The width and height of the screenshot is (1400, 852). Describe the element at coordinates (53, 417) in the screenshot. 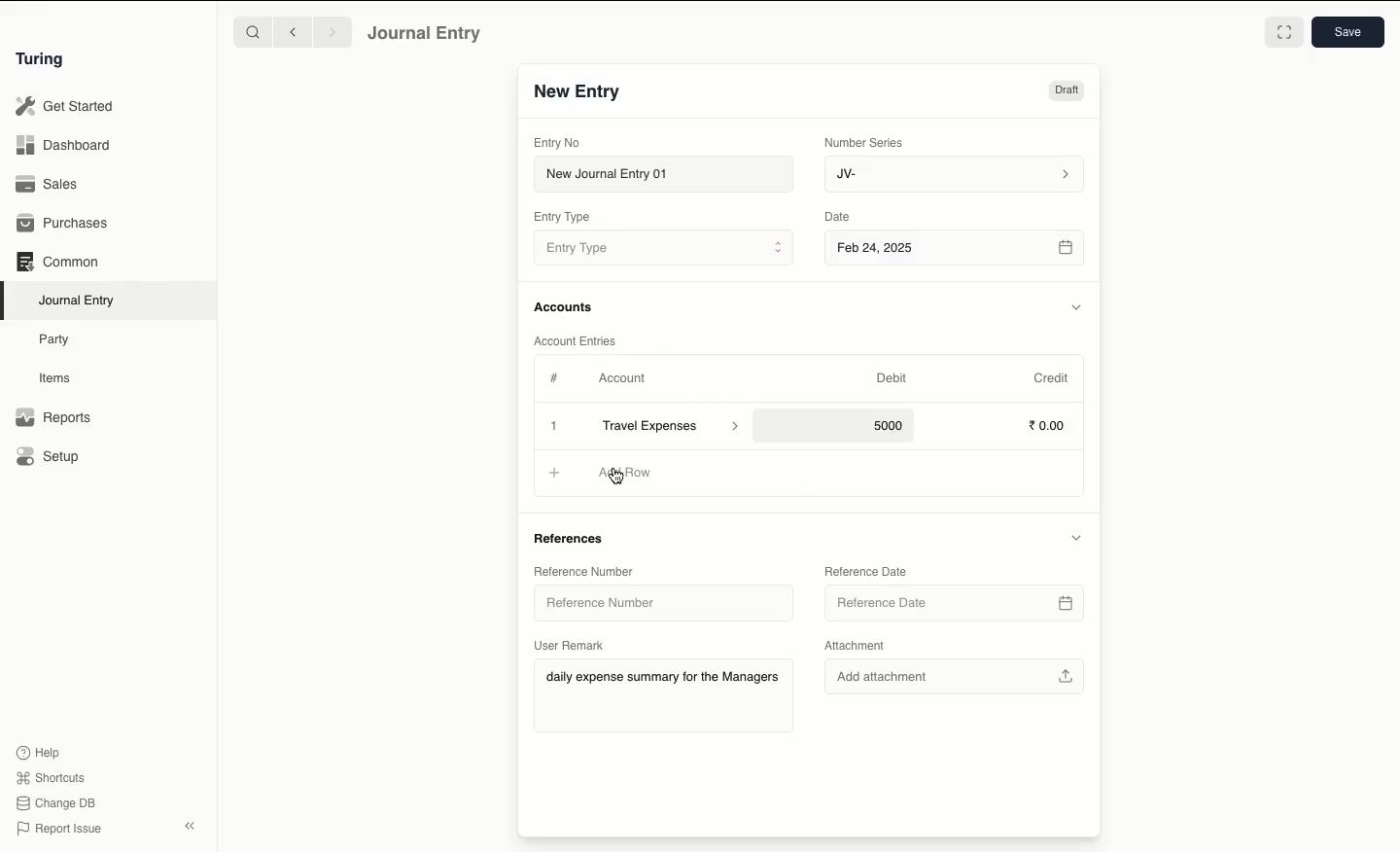

I see `Reports` at that location.